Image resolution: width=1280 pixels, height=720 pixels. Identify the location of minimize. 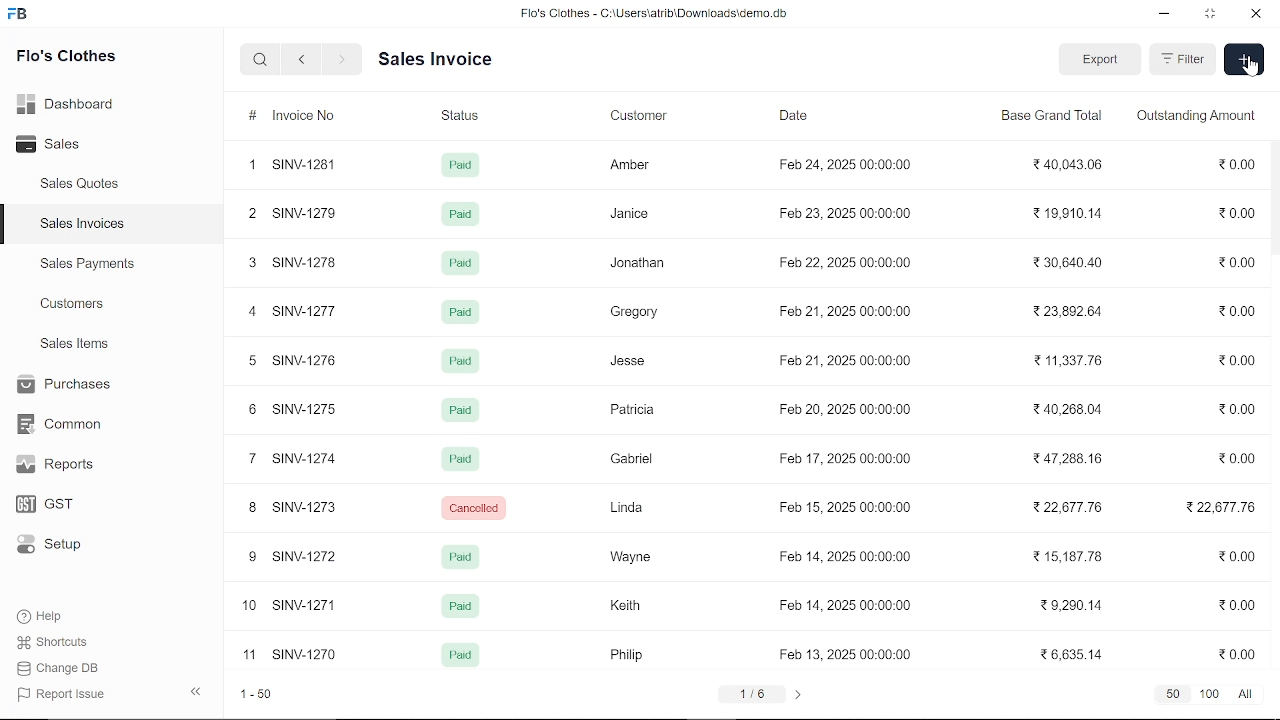
(1165, 16).